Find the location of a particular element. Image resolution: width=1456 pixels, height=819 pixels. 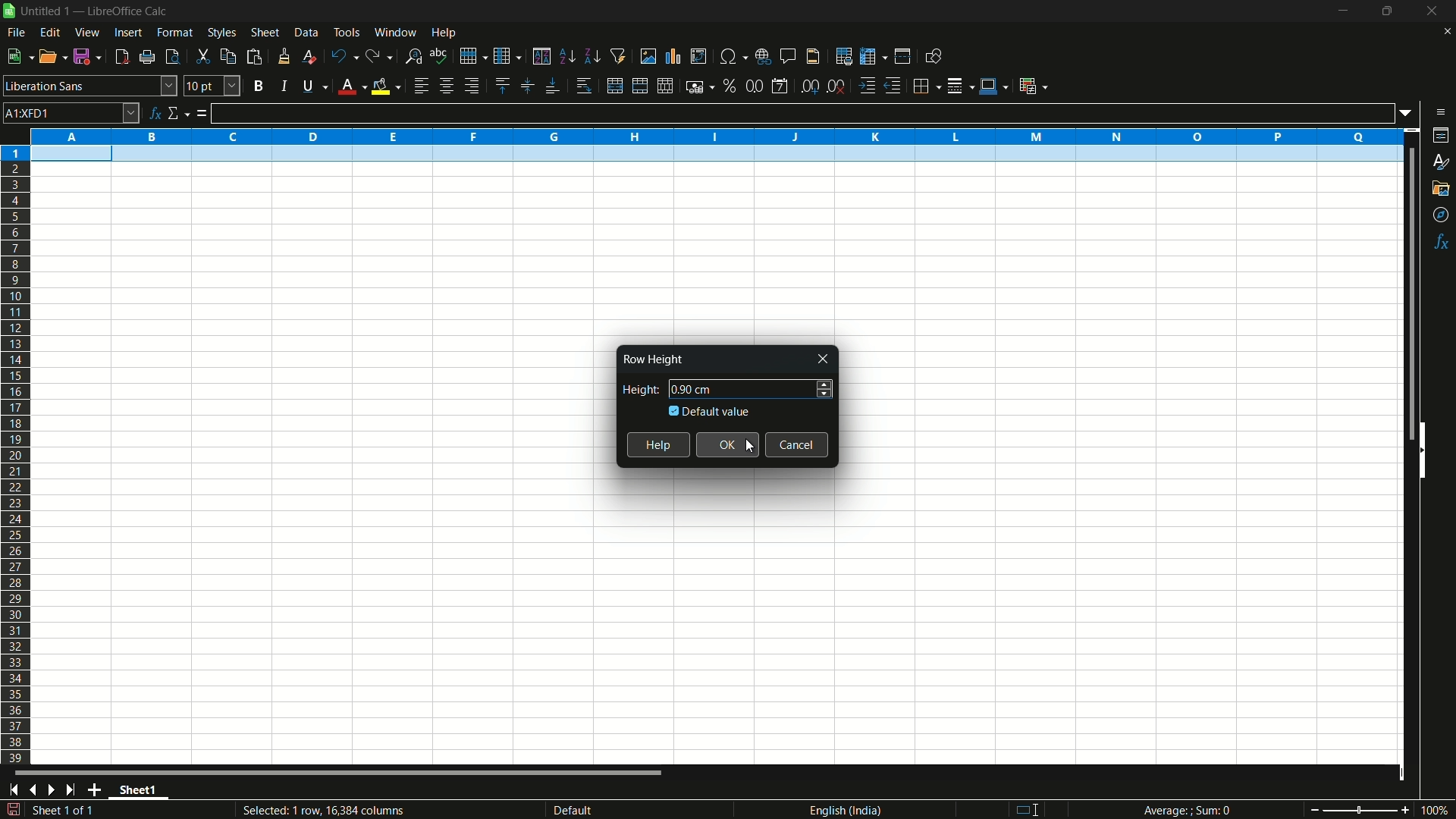

underline is located at coordinates (312, 87).